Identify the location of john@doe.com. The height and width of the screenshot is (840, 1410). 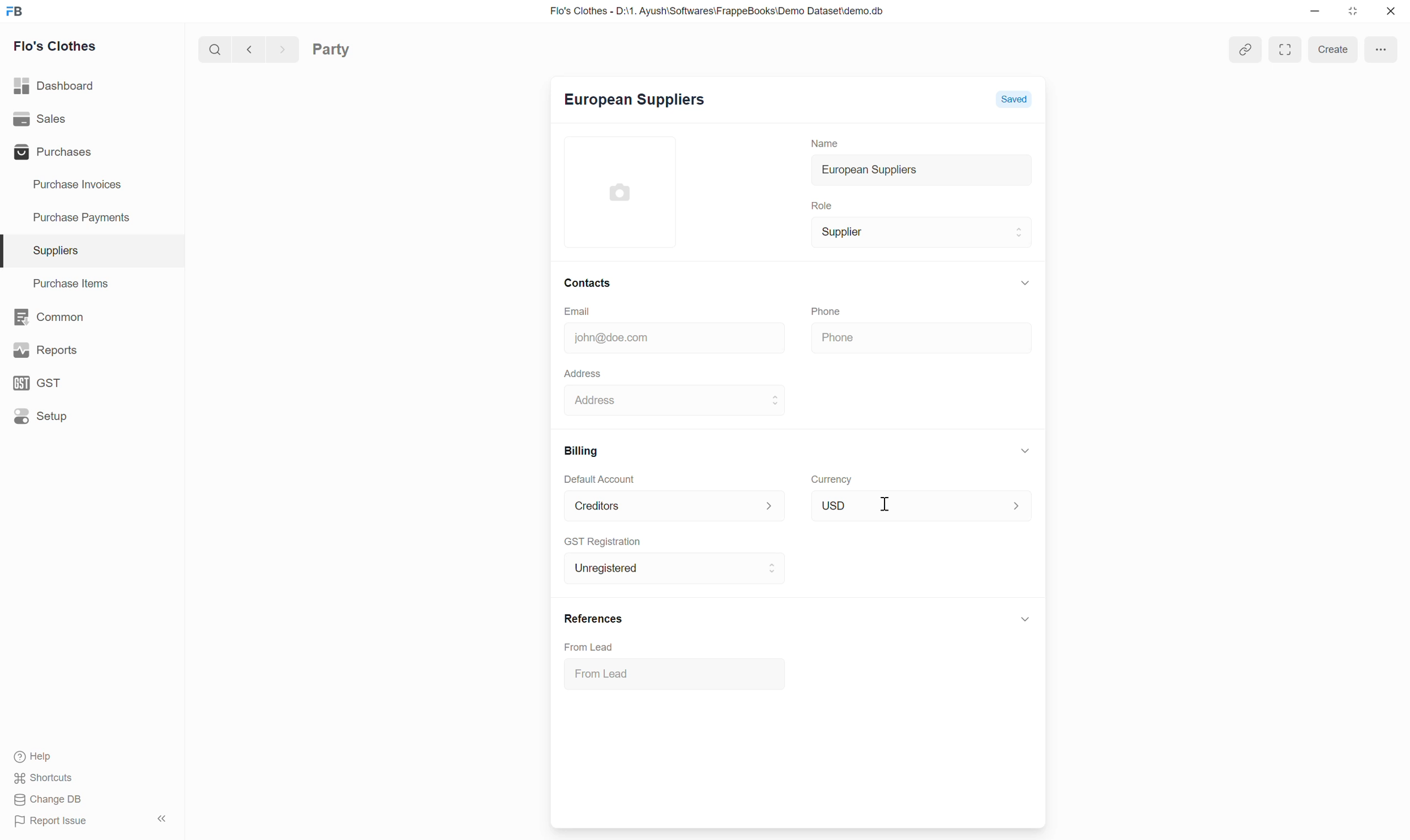
(606, 336).